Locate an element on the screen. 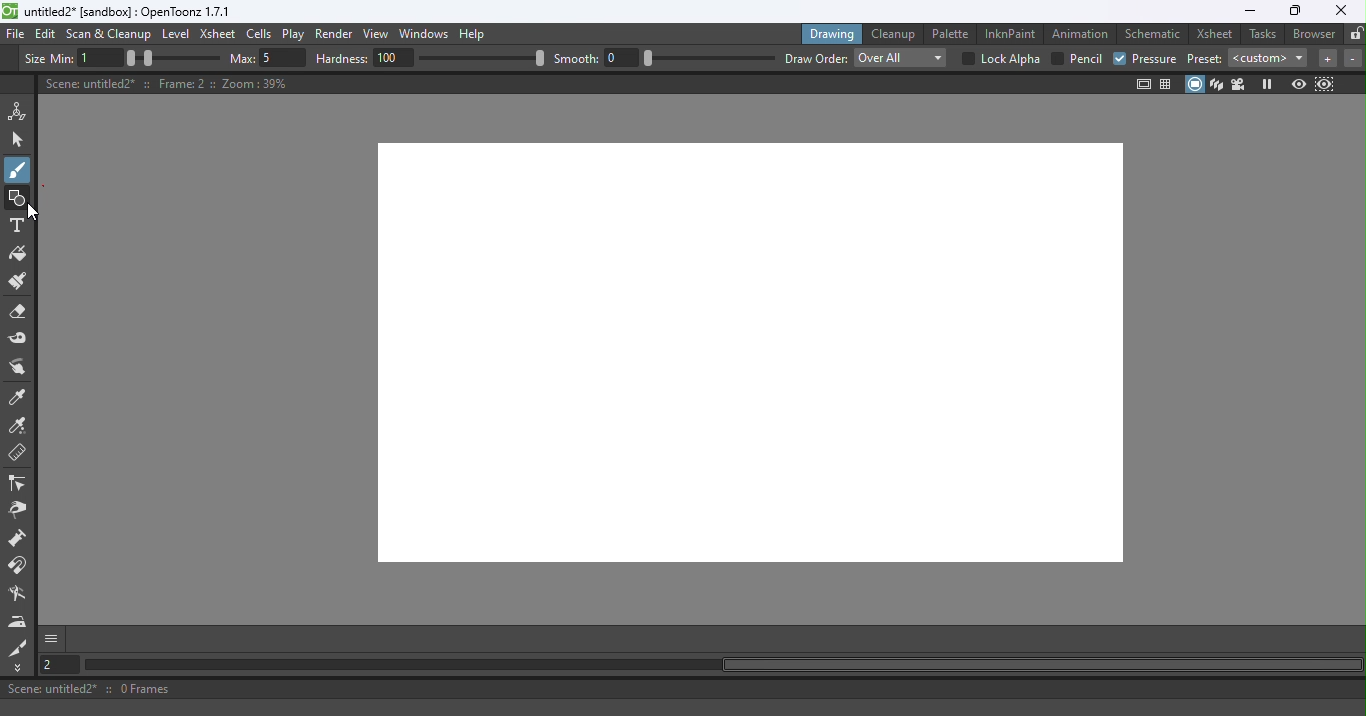  Cells is located at coordinates (262, 35).